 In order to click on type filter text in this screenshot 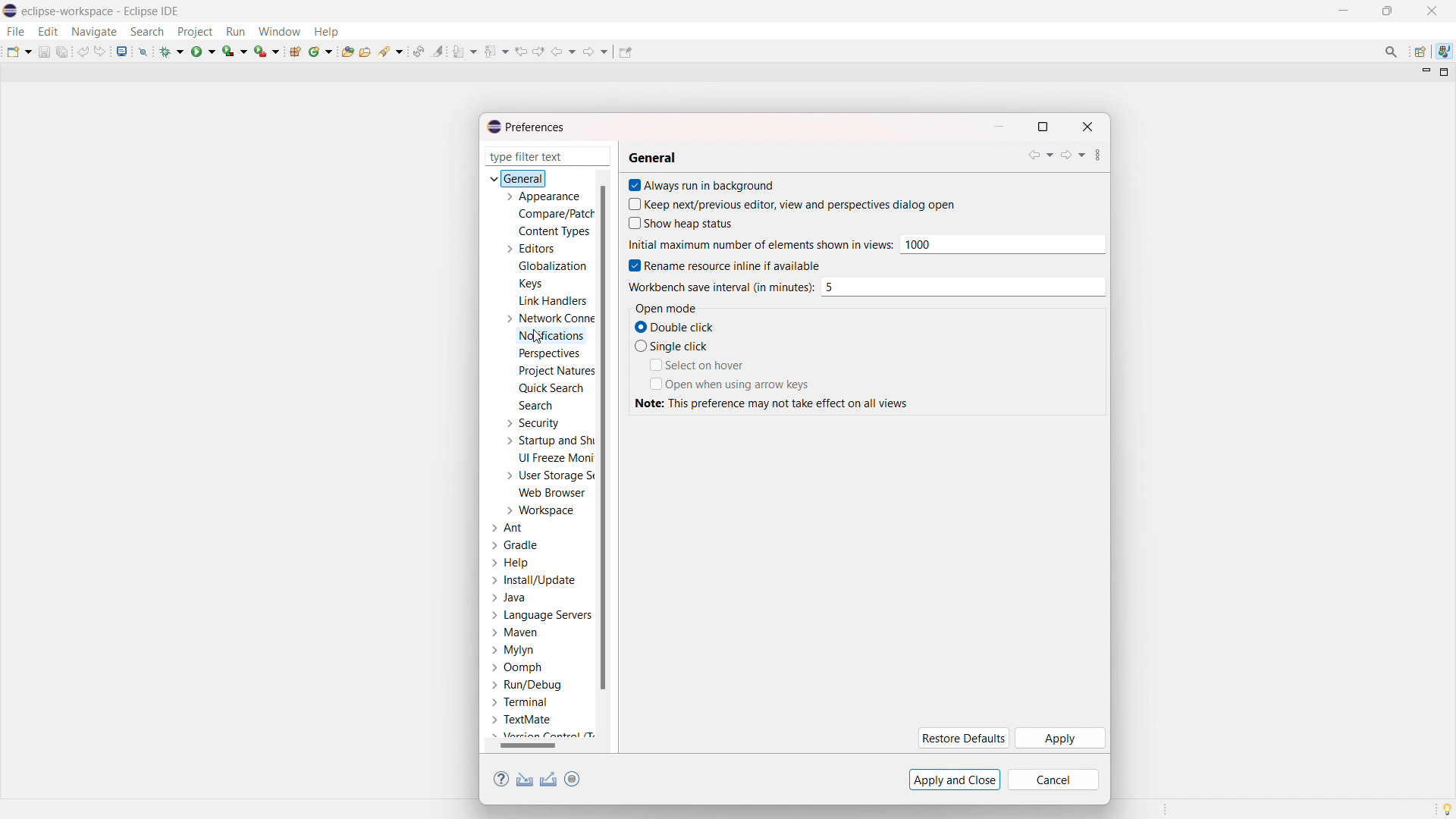, I will do `click(549, 156)`.